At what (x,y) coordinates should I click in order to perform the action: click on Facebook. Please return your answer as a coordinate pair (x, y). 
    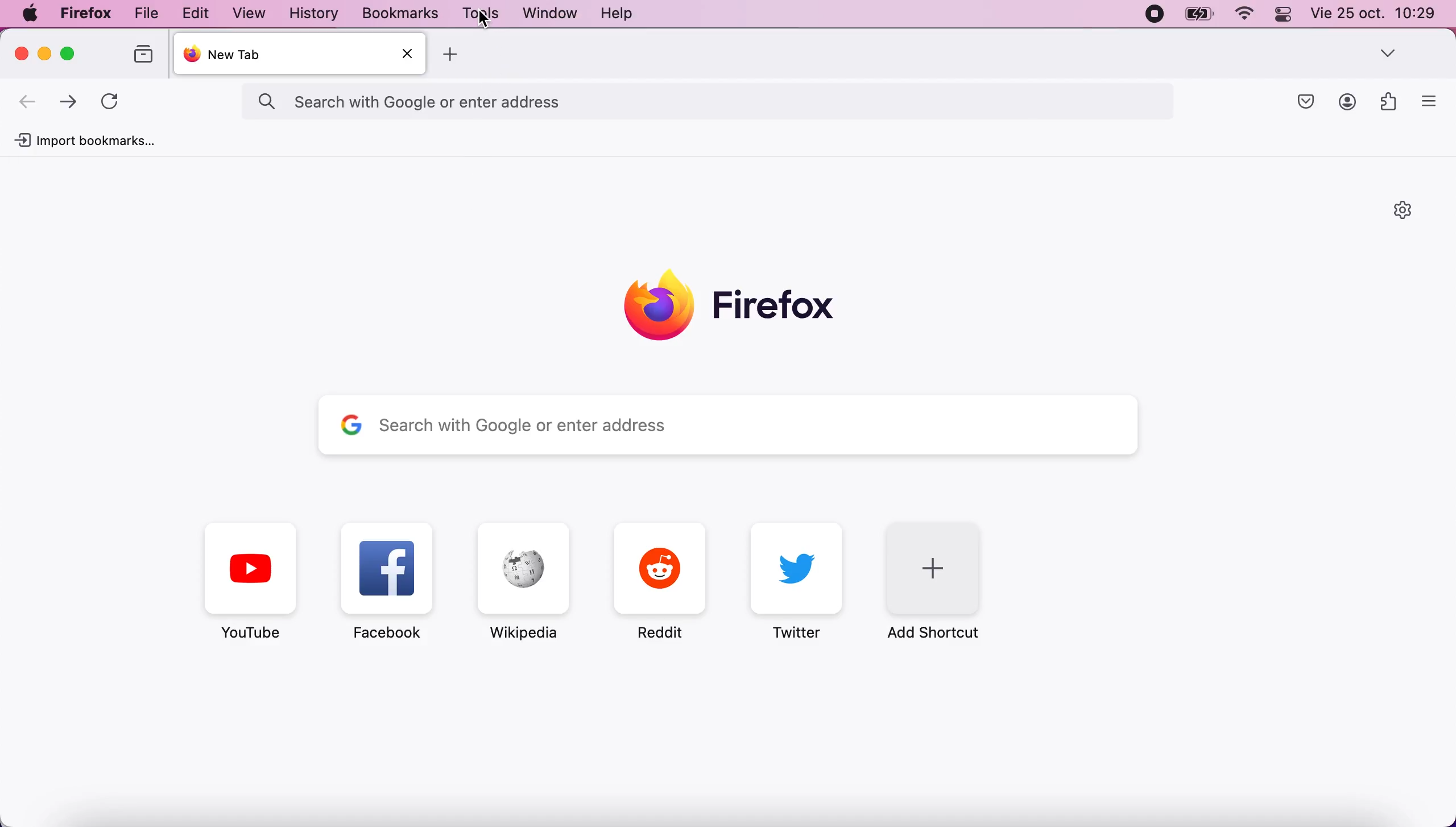
    Looking at the image, I should click on (388, 581).